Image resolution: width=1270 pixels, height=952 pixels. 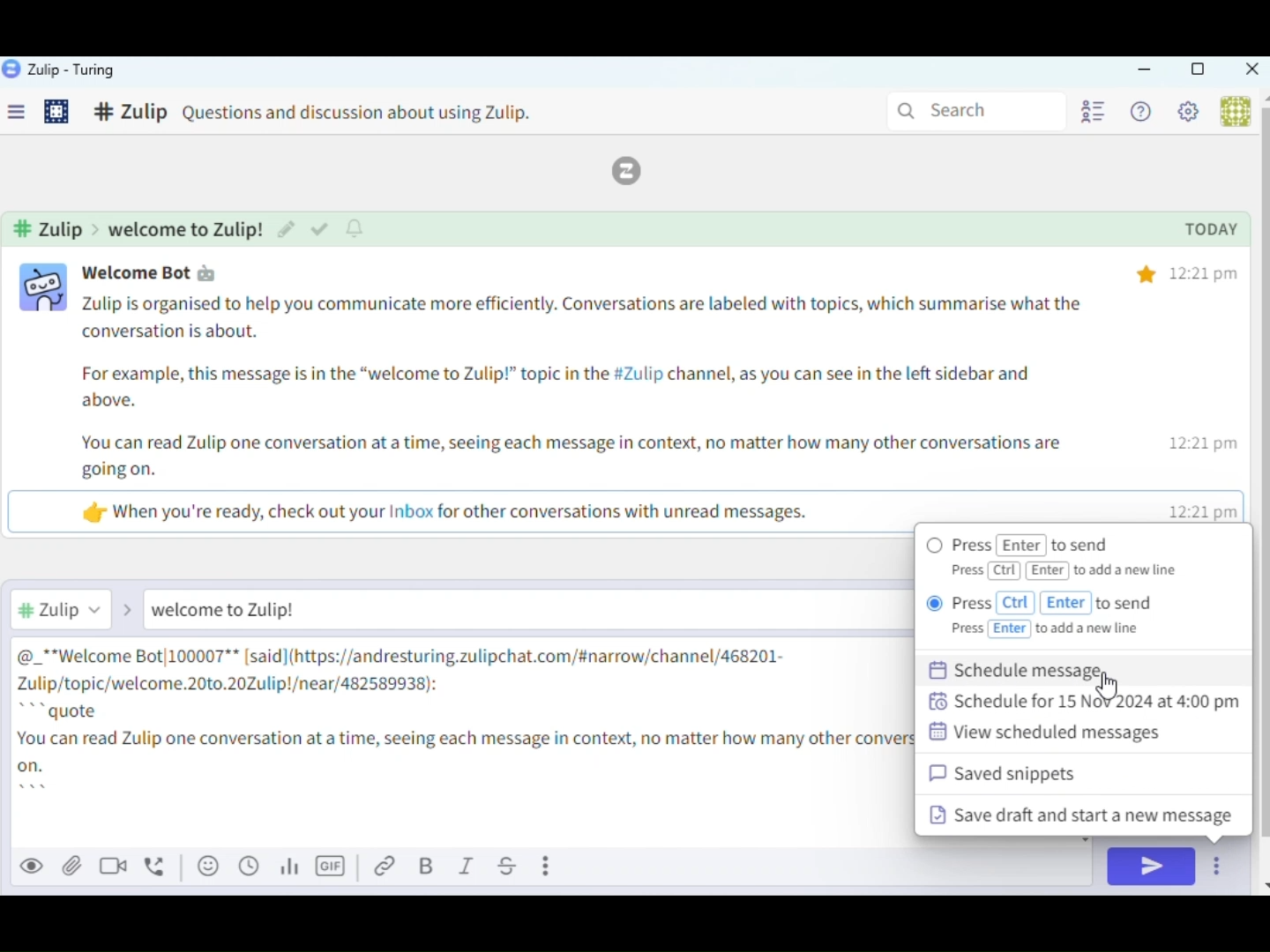 I want to click on Save draft and start a new message, so click(x=1073, y=816).